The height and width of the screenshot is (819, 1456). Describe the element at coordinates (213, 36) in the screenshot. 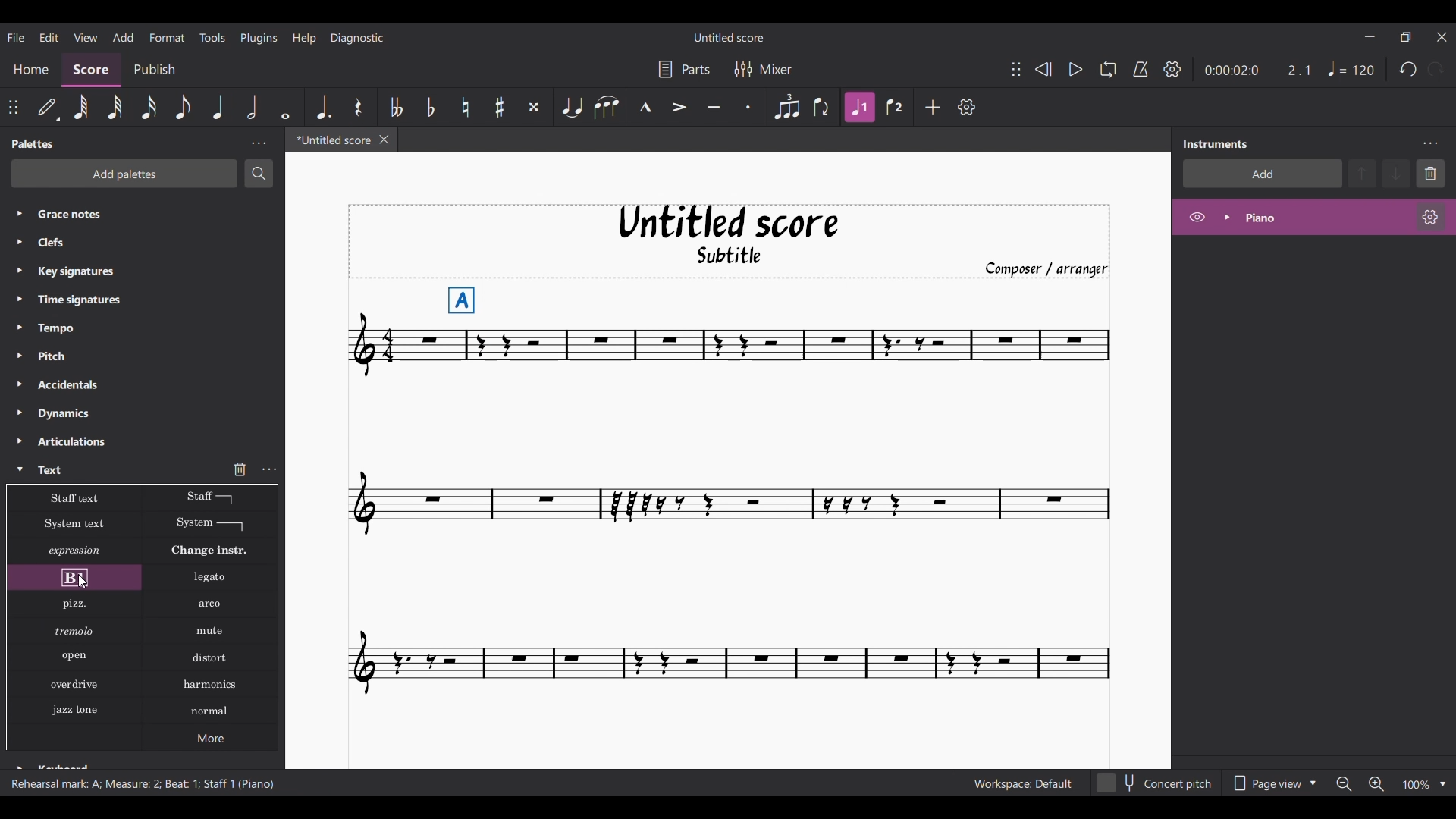

I see `Tools menu` at that location.